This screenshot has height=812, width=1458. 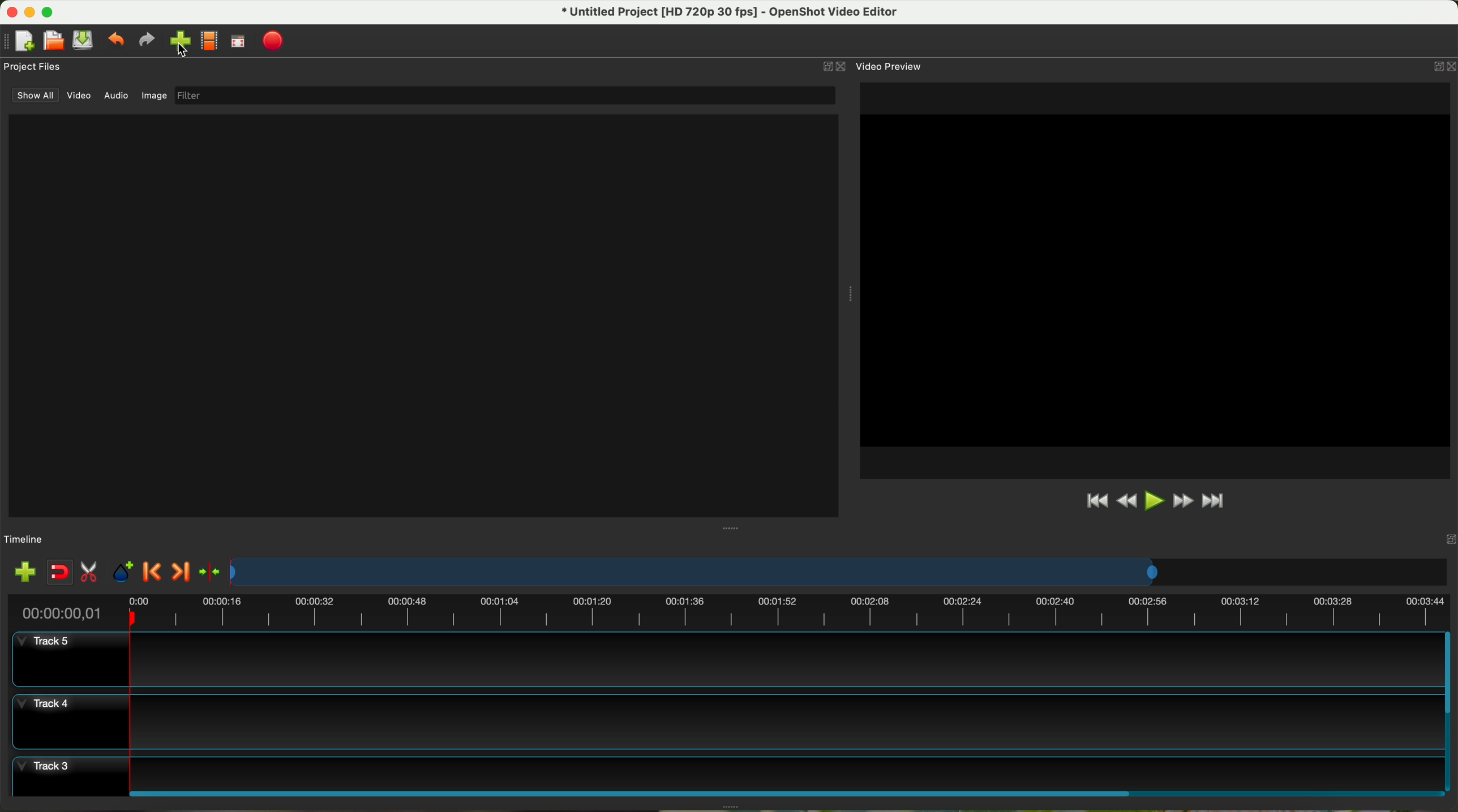 What do you see at coordinates (183, 573) in the screenshot?
I see `next marker` at bounding box center [183, 573].